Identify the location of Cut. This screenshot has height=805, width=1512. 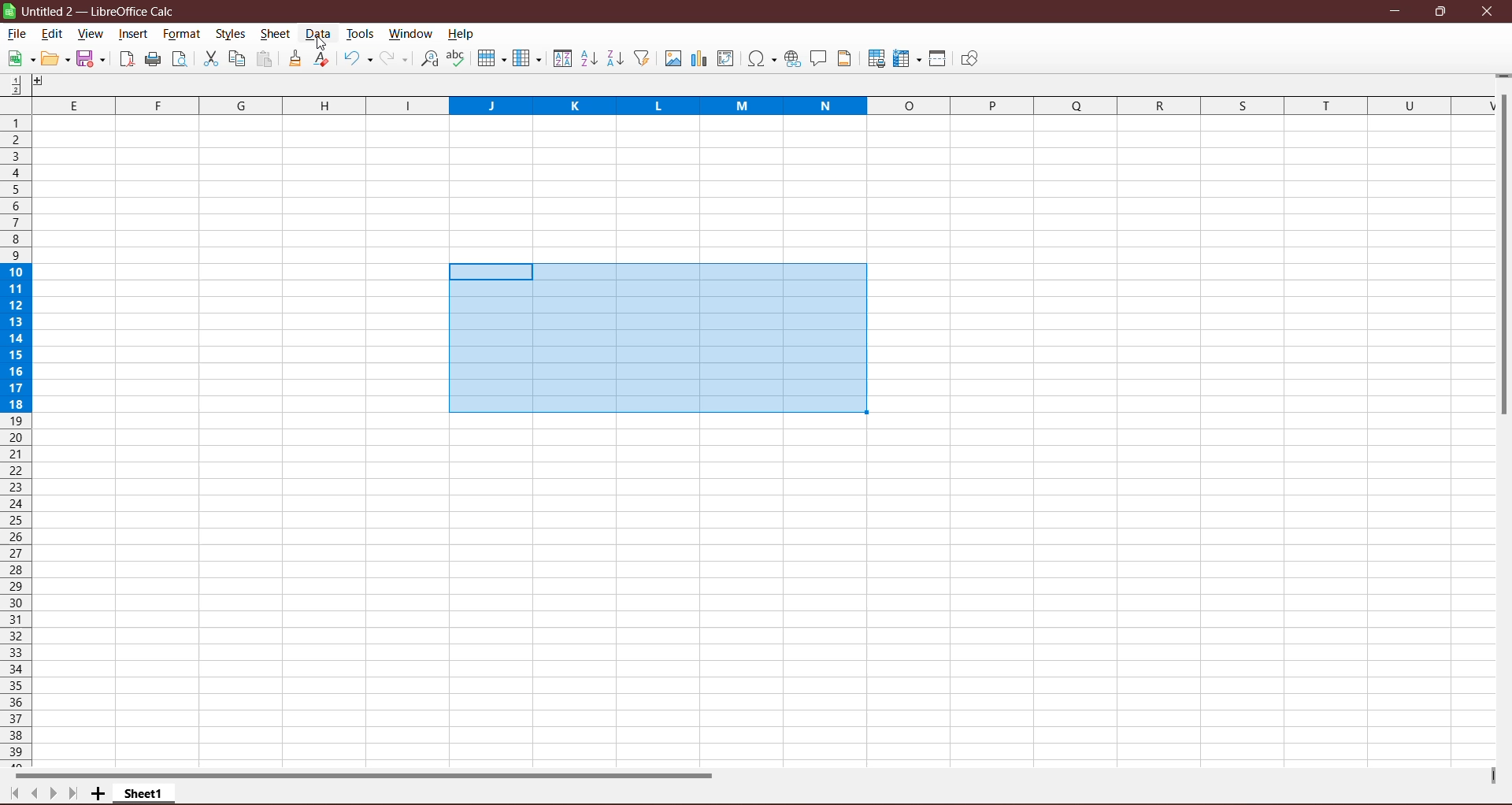
(209, 59).